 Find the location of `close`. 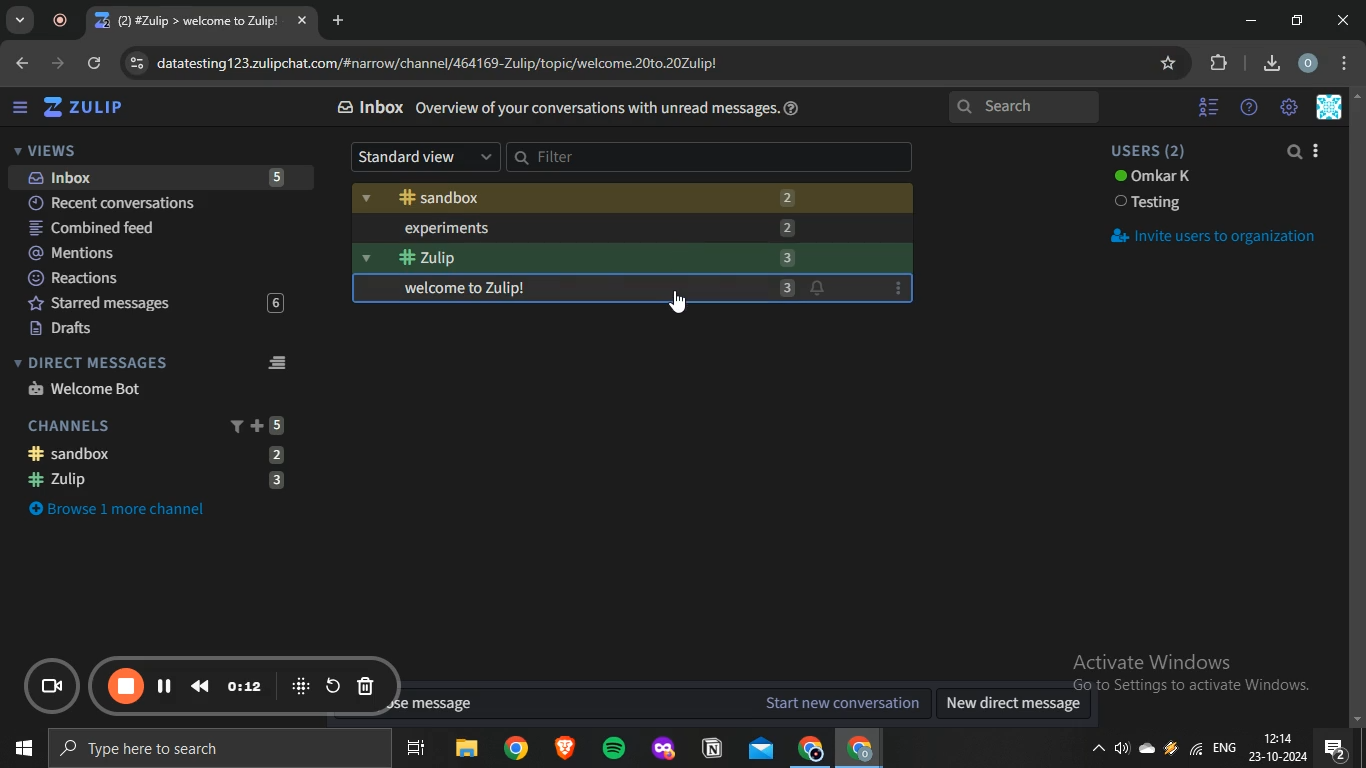

close is located at coordinates (1346, 20).